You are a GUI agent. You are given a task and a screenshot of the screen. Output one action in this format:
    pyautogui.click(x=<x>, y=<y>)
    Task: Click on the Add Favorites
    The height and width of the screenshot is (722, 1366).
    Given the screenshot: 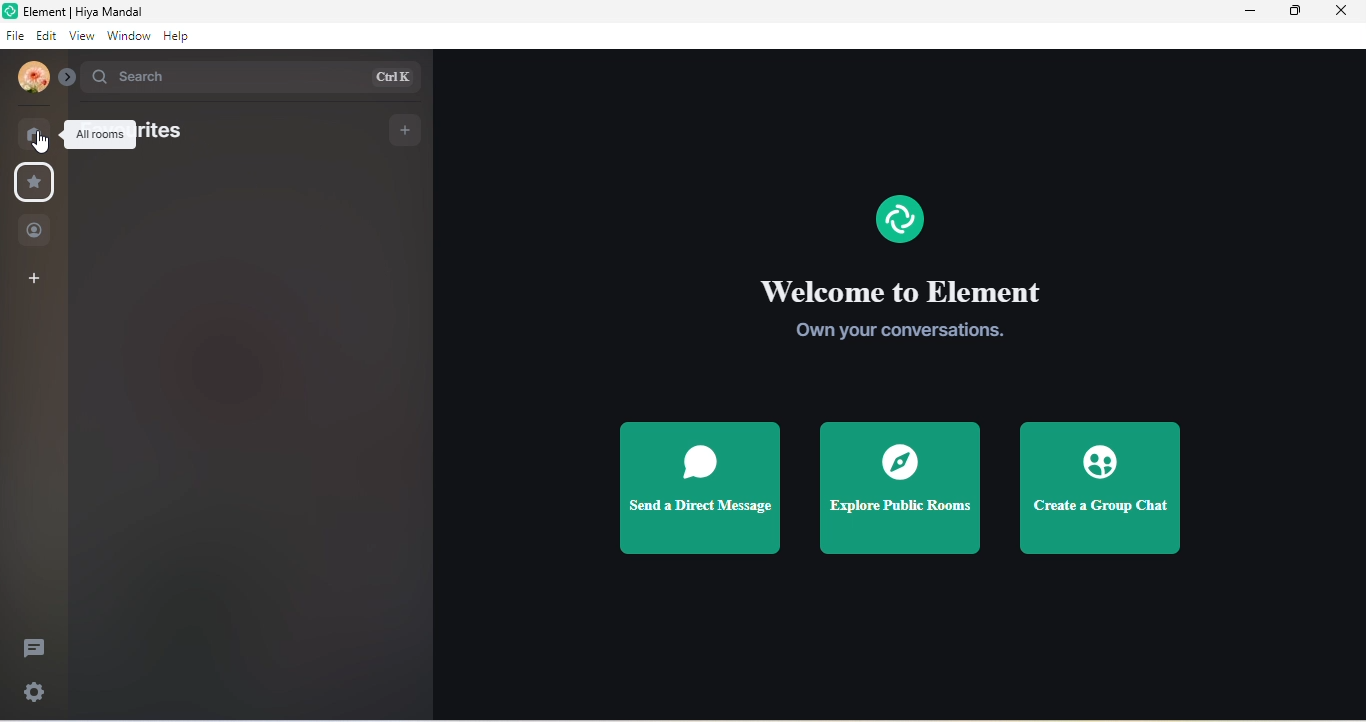 What is the action you would take?
    pyautogui.click(x=406, y=131)
    